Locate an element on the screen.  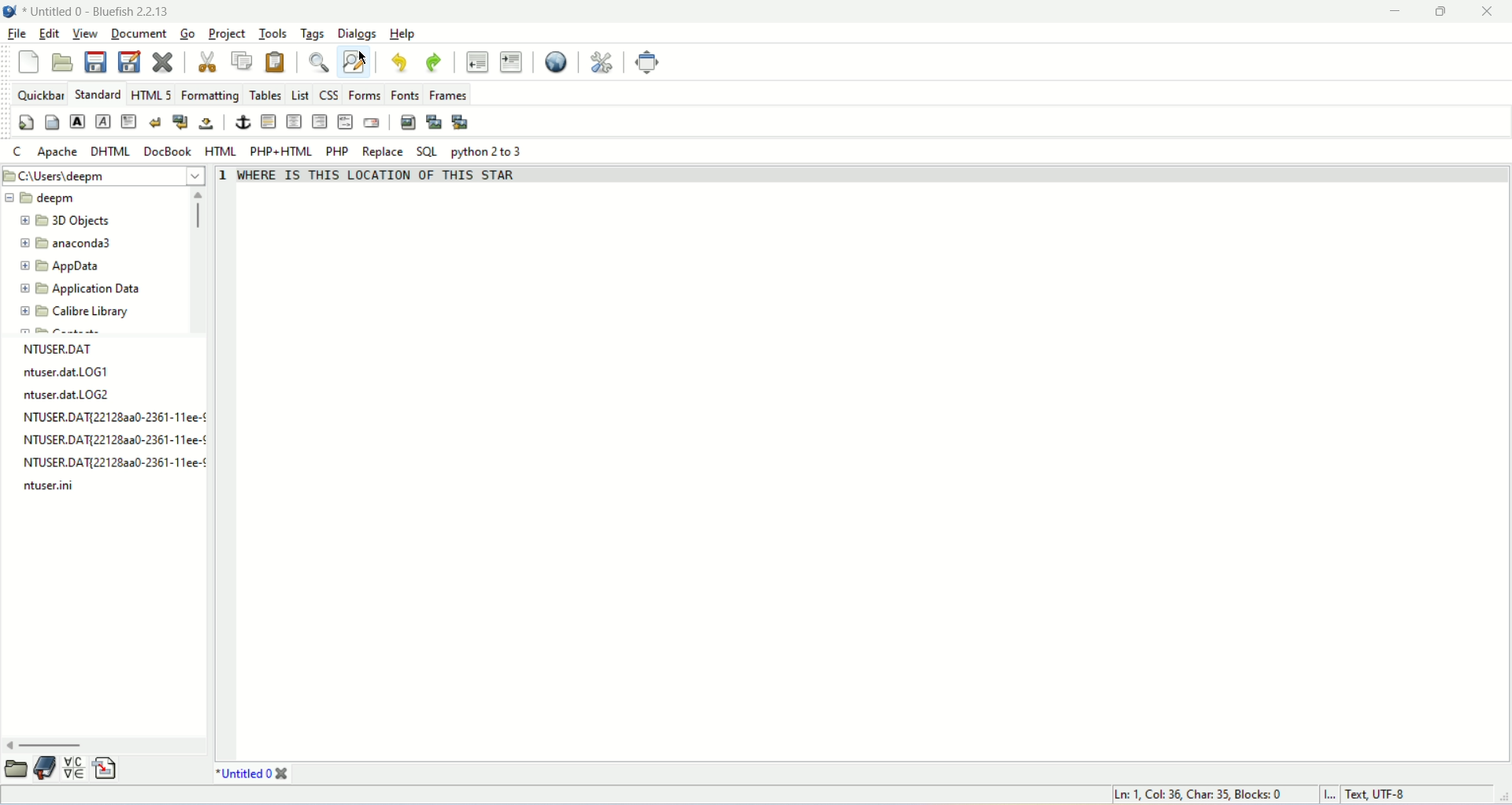
file browser is located at coordinates (17, 768).